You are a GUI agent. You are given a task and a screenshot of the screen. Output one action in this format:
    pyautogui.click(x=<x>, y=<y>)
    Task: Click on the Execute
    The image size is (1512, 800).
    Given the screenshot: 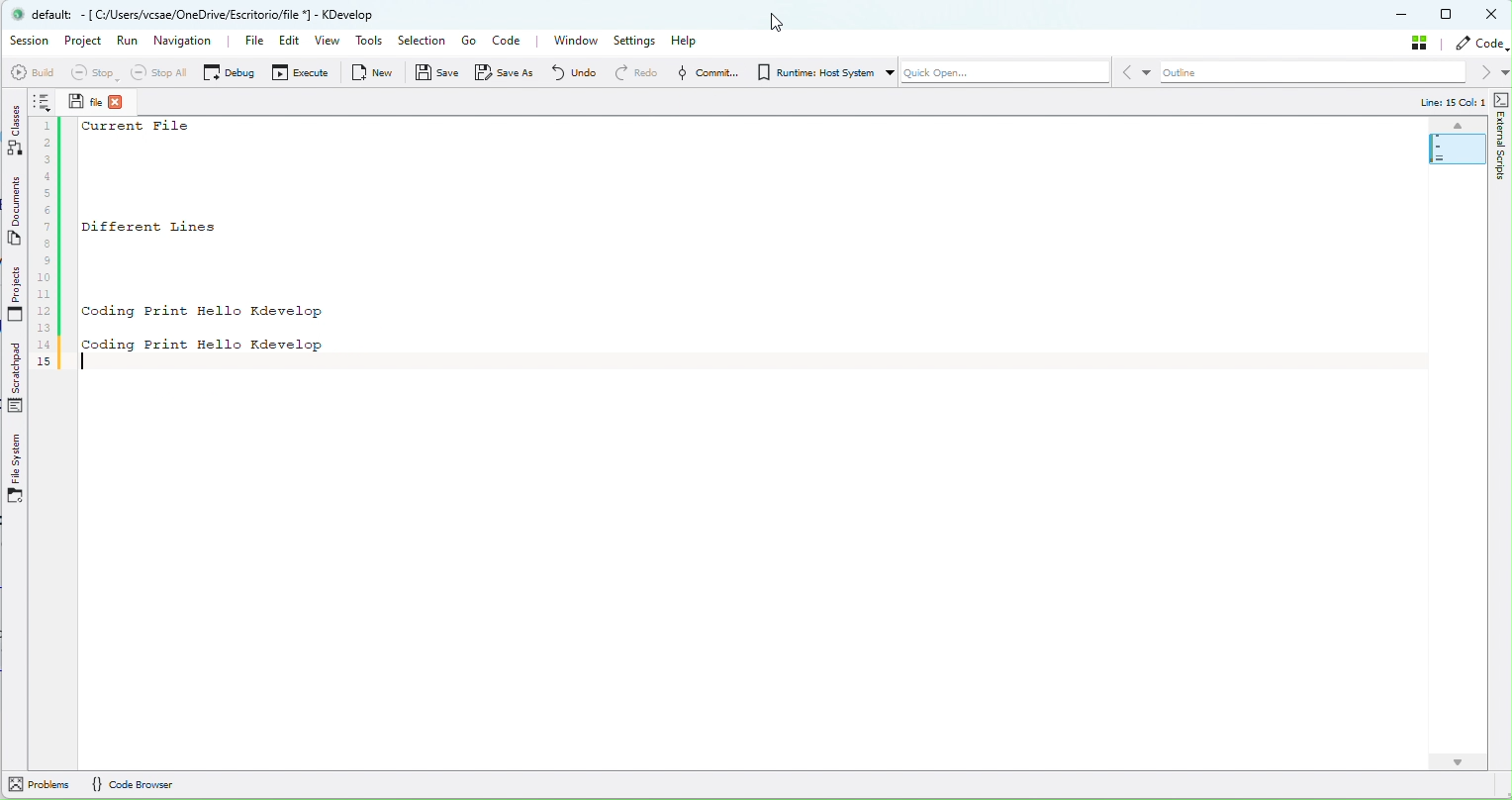 What is the action you would take?
    pyautogui.click(x=303, y=75)
    